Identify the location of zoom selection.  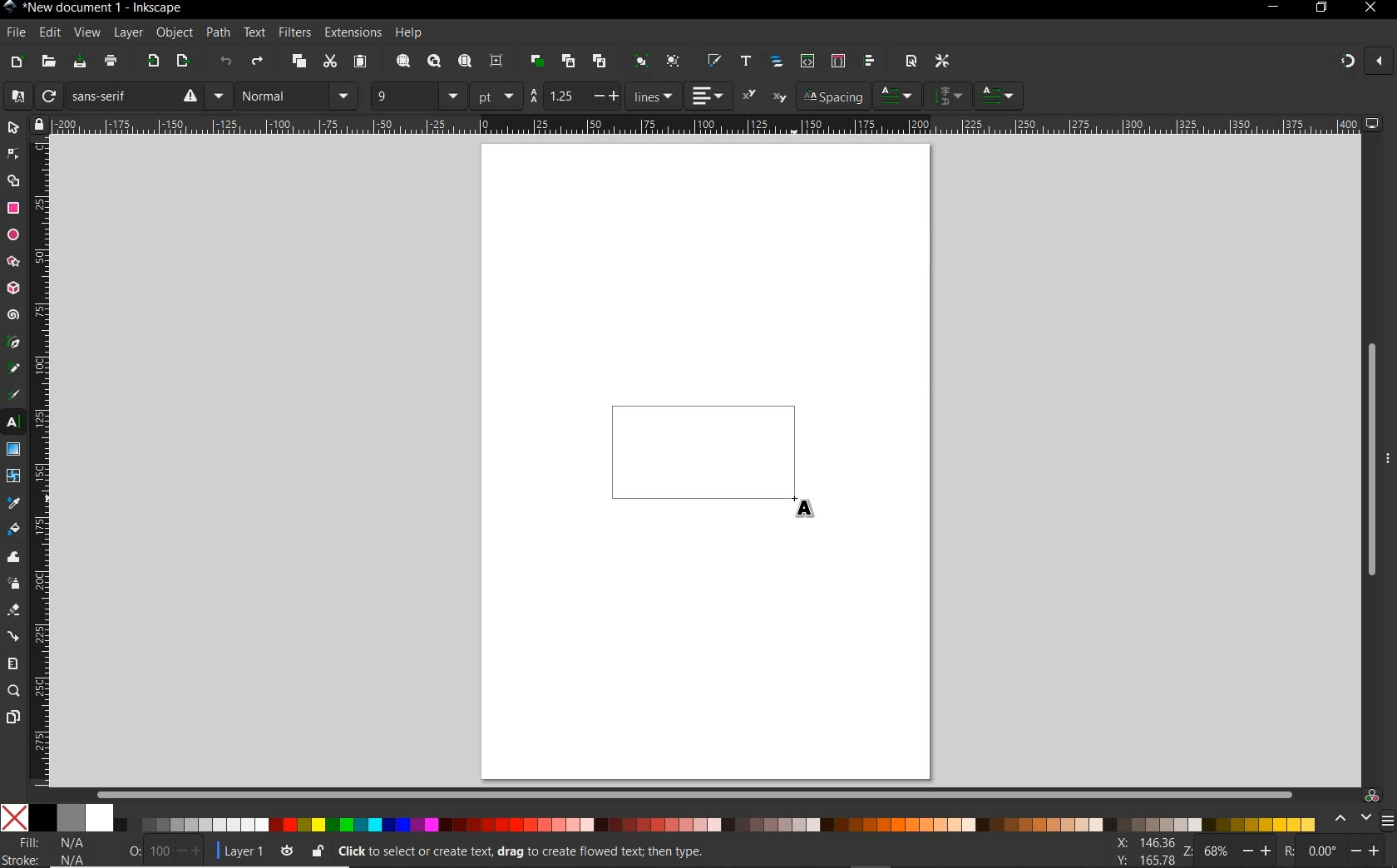
(404, 62).